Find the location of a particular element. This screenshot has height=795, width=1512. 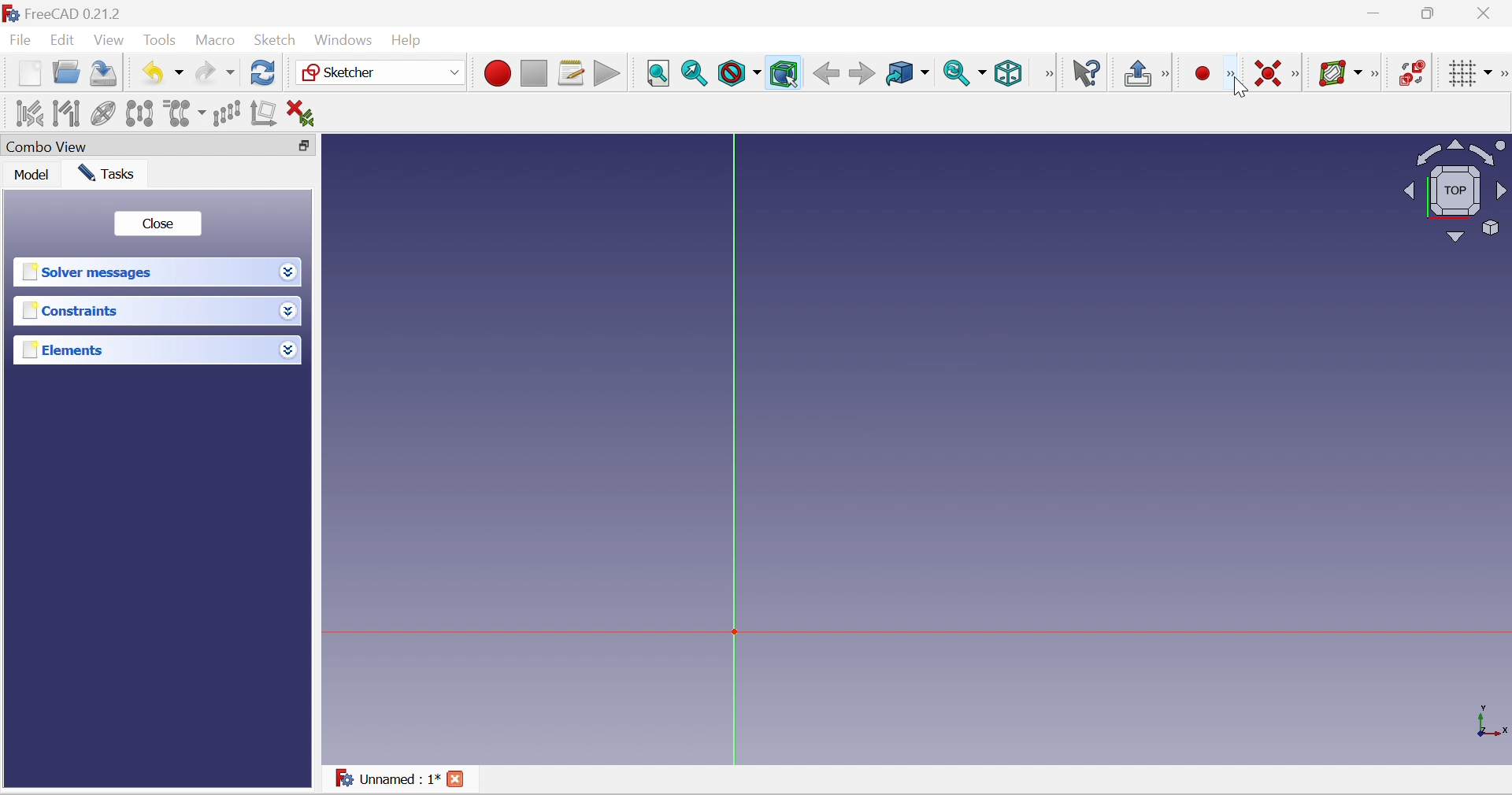

Select associated geometry is located at coordinates (66, 113).